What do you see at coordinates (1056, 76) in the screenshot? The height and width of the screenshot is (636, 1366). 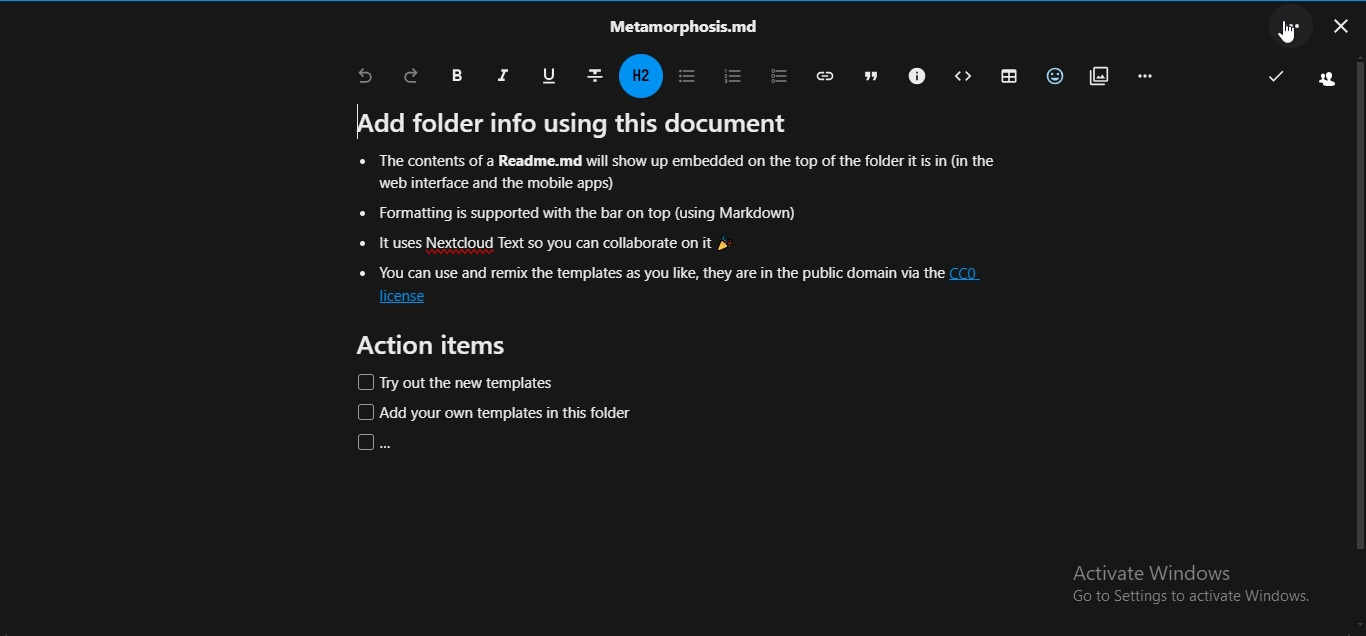 I see `insert emoji` at bounding box center [1056, 76].